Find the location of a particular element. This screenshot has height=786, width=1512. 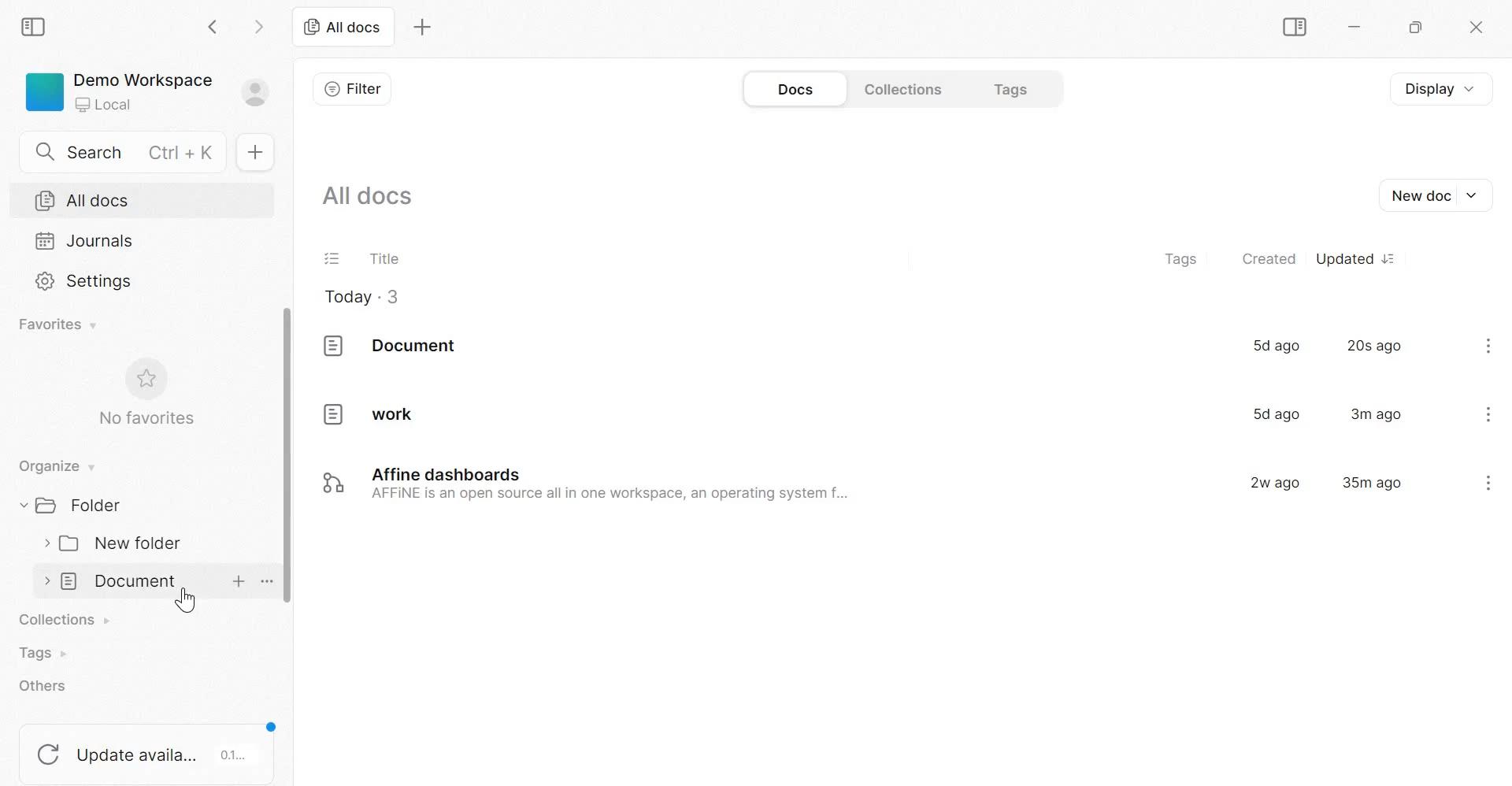

All docs is located at coordinates (343, 28).